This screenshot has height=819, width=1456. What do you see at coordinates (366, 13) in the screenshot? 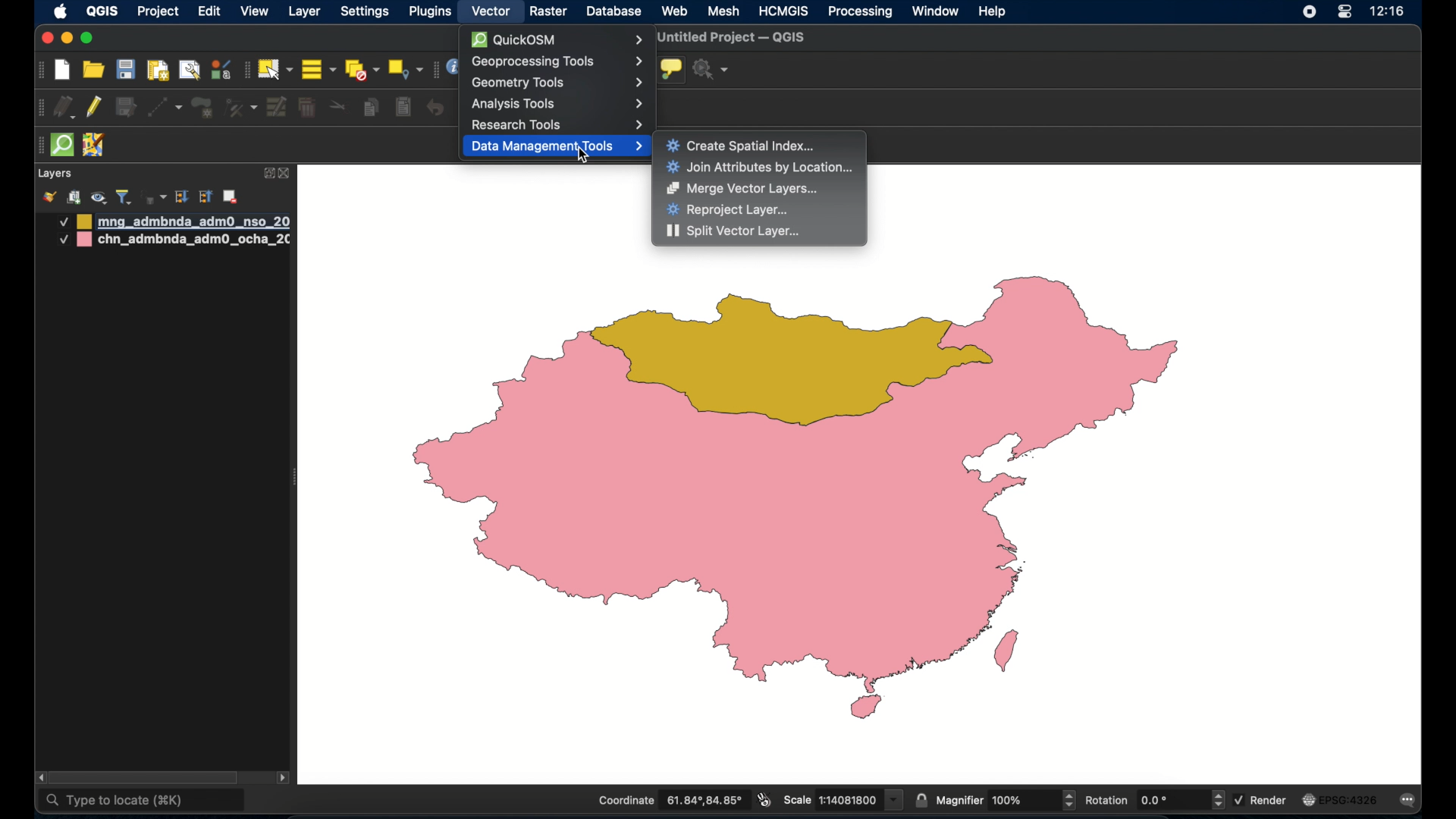
I see `settings` at bounding box center [366, 13].